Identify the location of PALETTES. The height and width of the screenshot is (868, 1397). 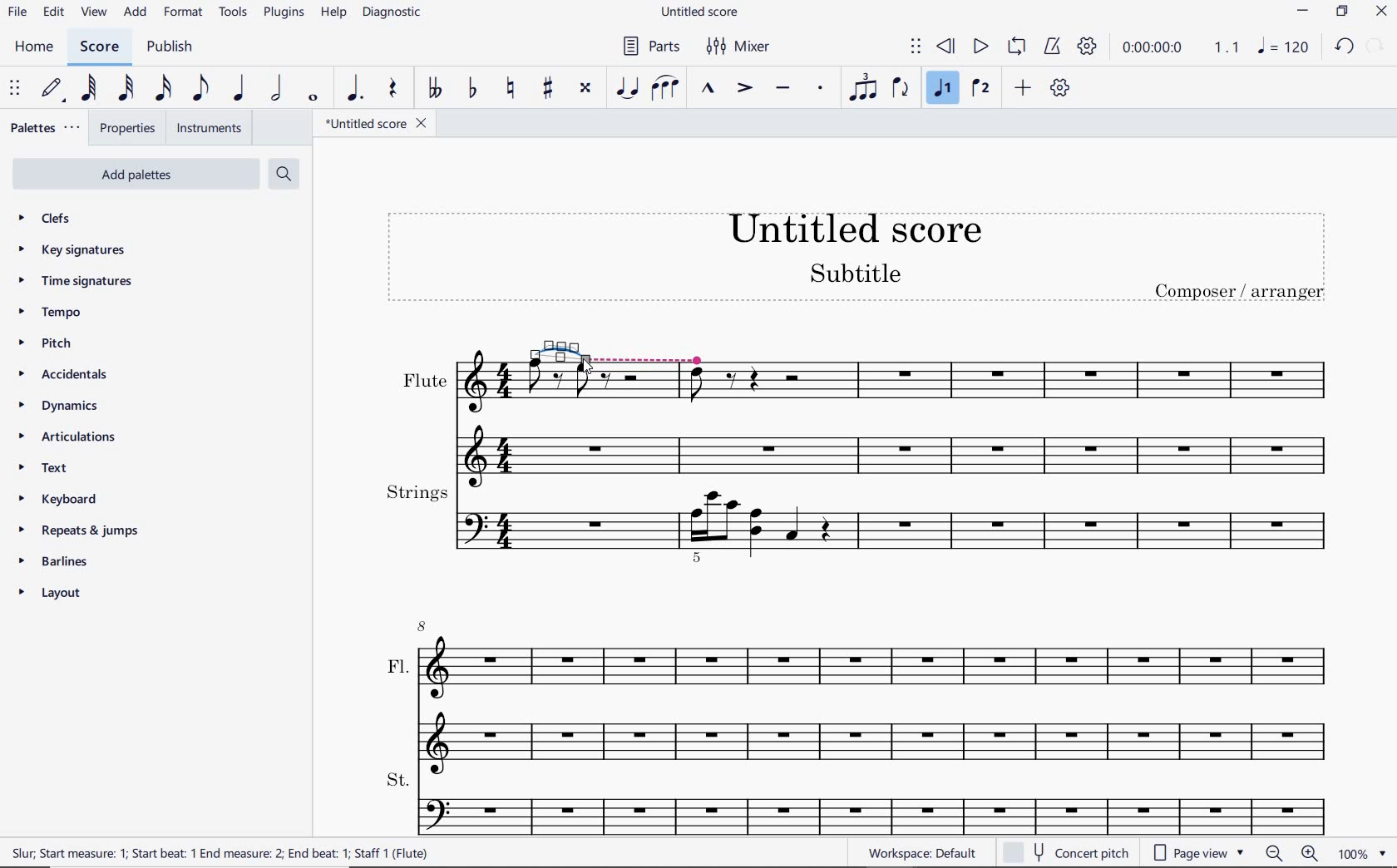
(47, 130).